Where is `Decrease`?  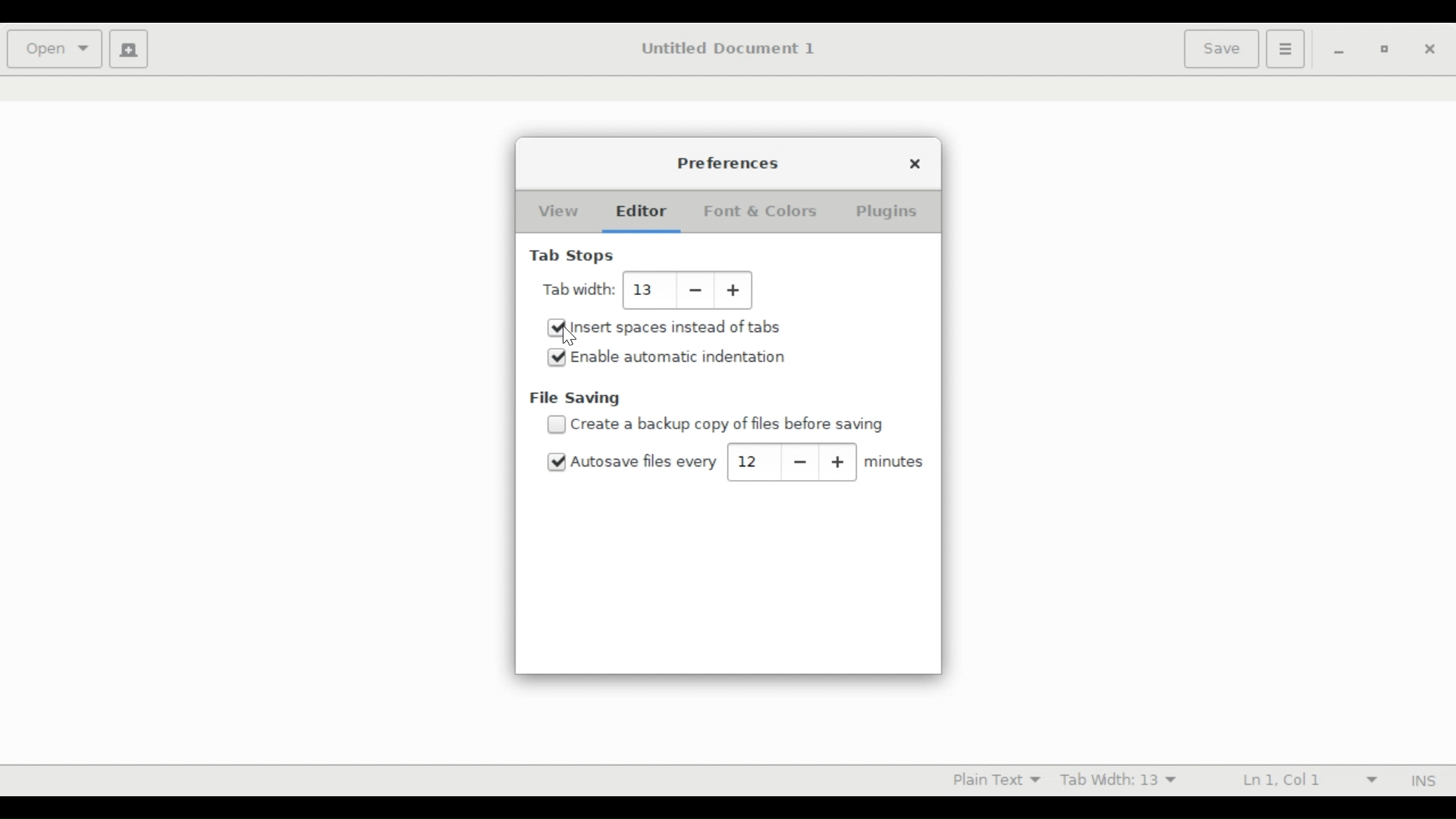 Decrease is located at coordinates (802, 461).